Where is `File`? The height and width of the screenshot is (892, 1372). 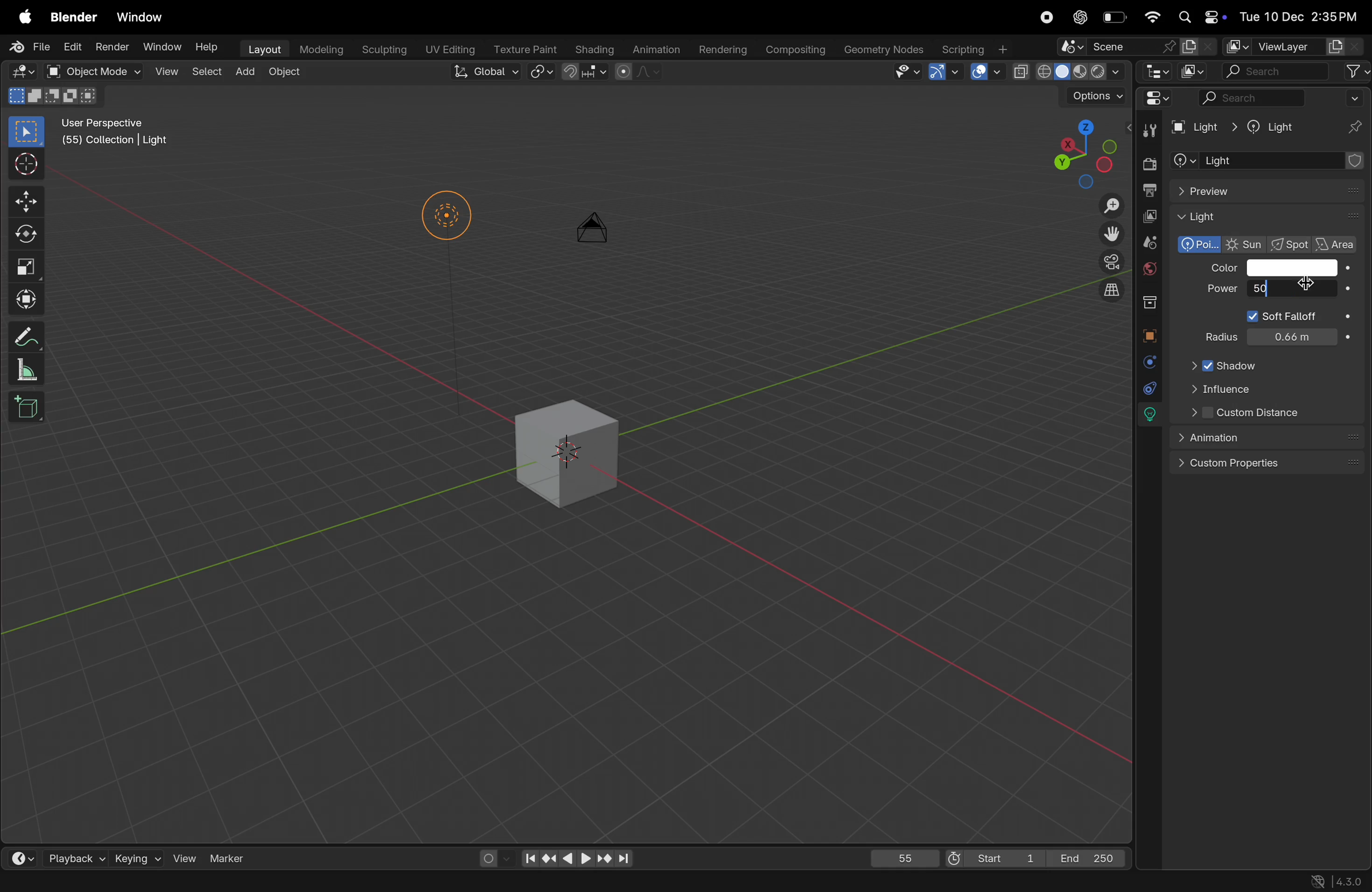
File is located at coordinates (28, 47).